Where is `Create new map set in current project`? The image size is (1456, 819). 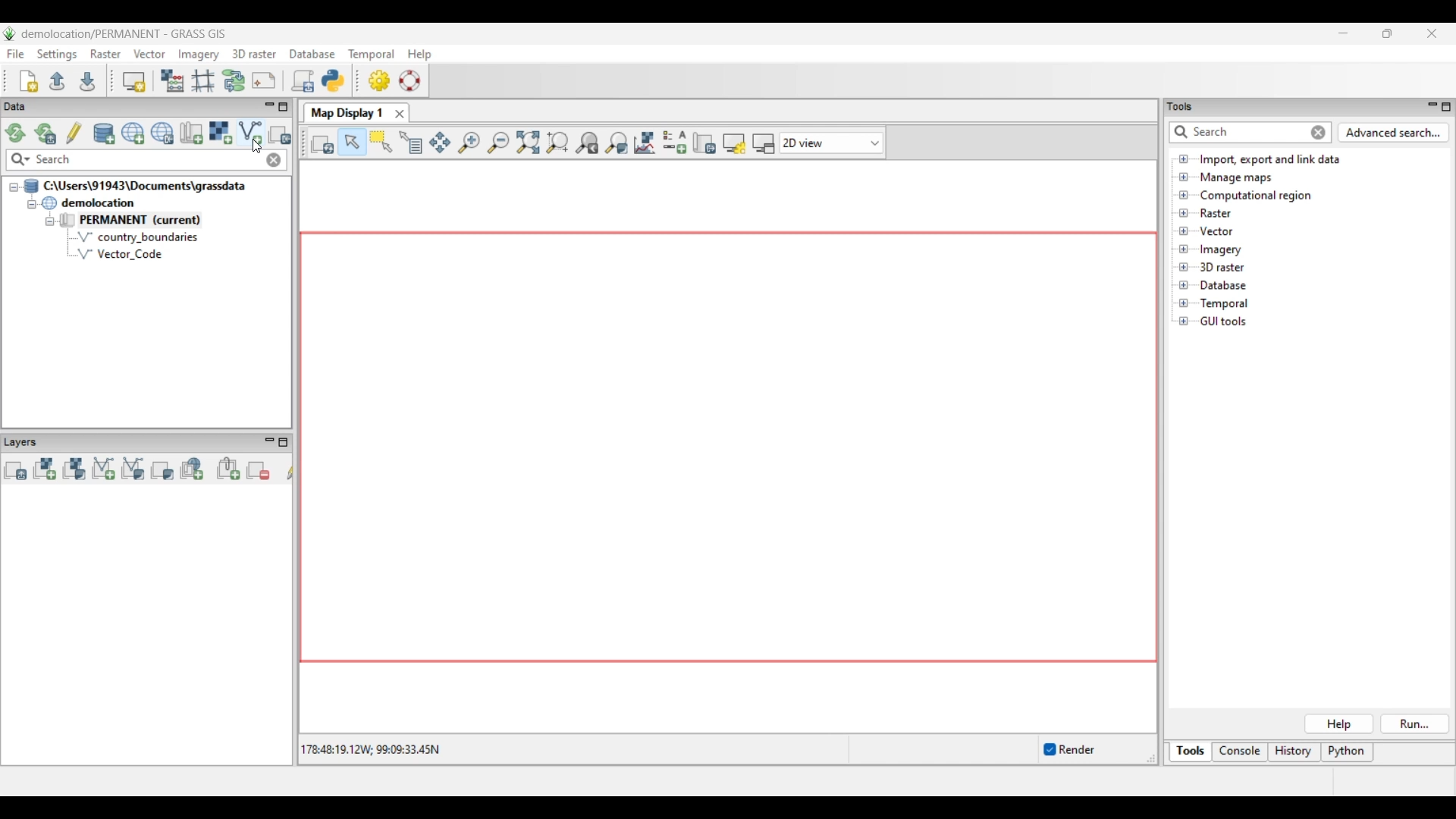
Create new map set in current project is located at coordinates (190, 133).